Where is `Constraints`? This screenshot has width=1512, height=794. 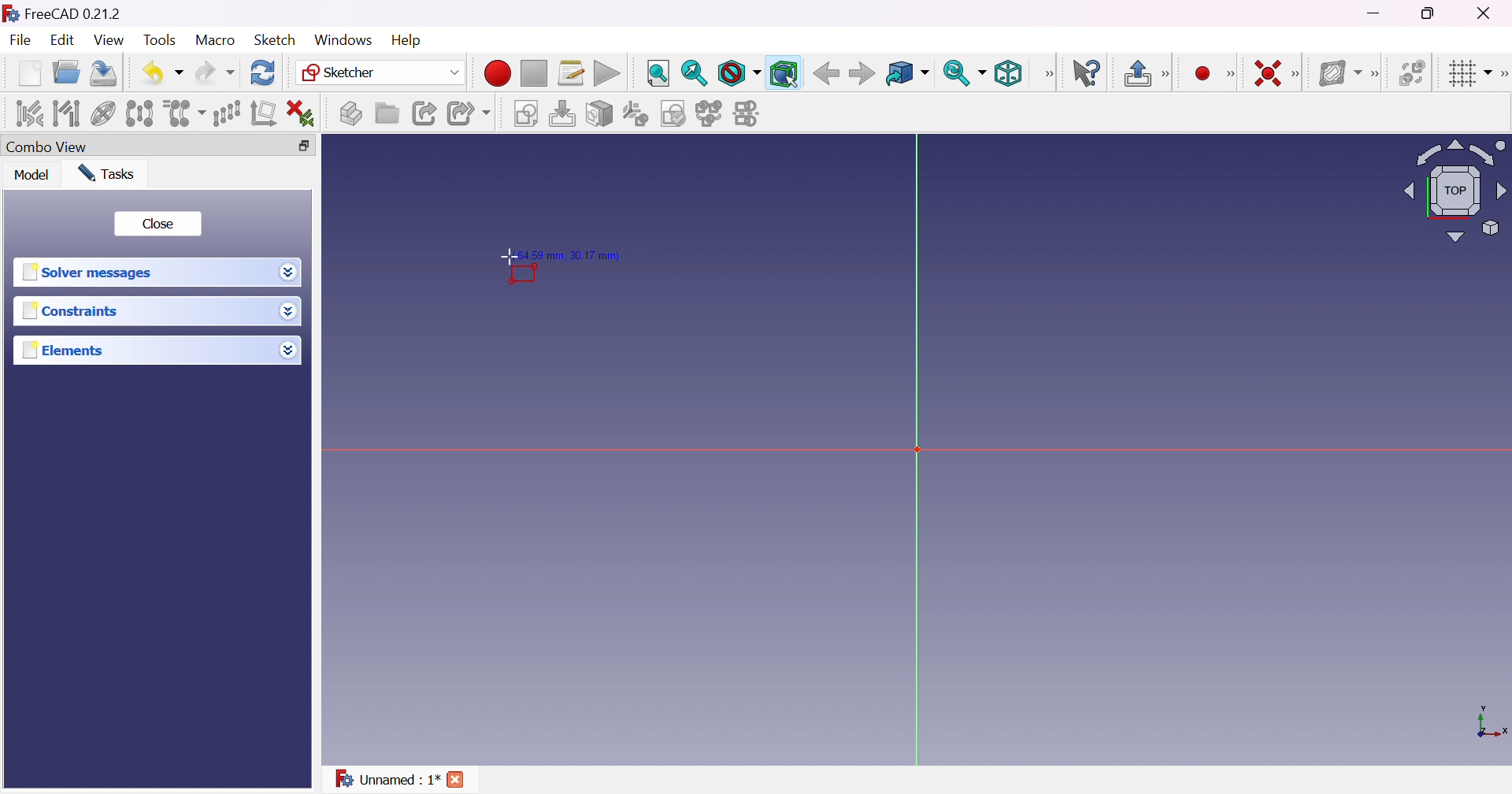 Constraints is located at coordinates (72, 310).